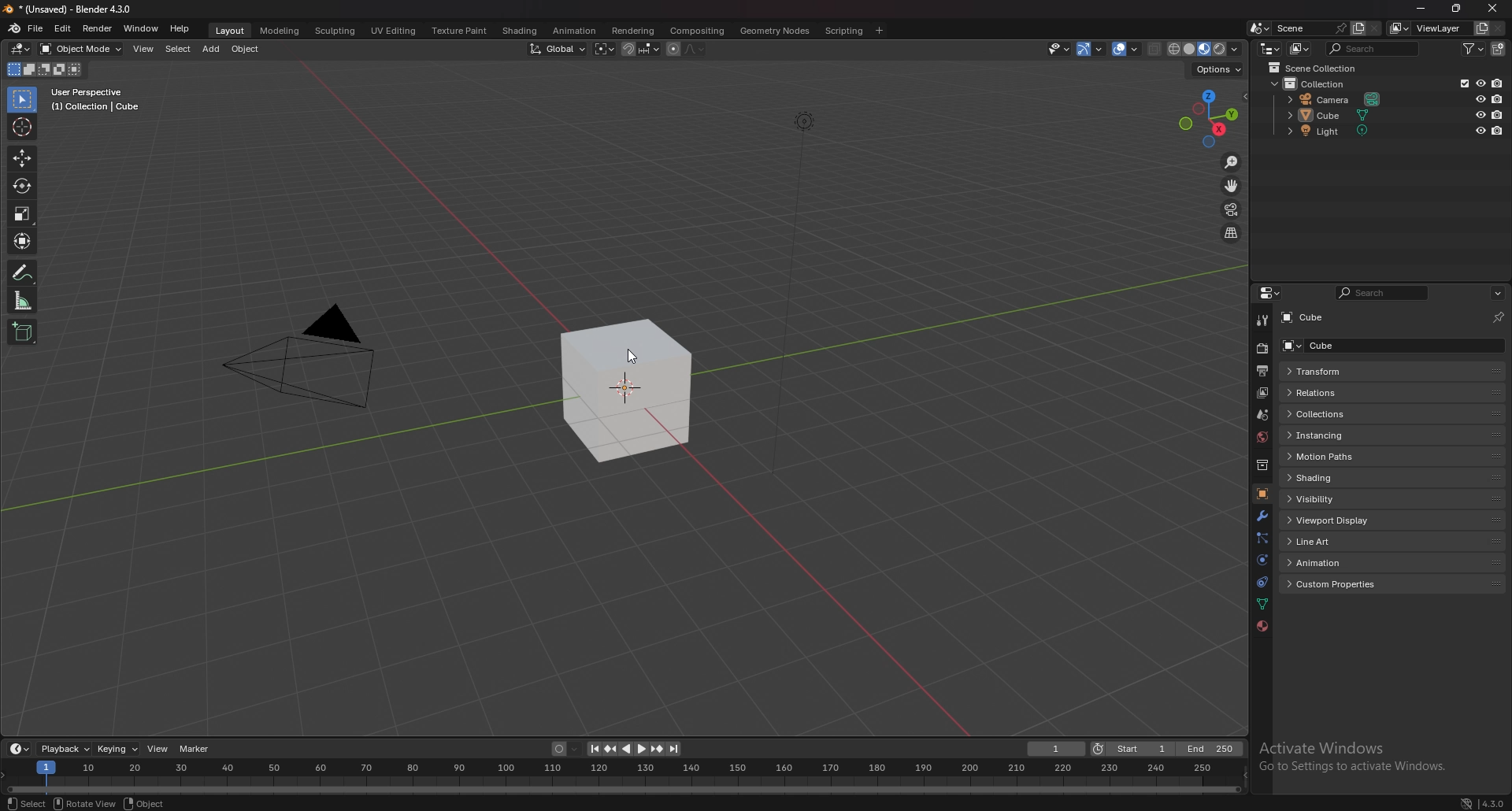  I want to click on sculpting, so click(335, 30).